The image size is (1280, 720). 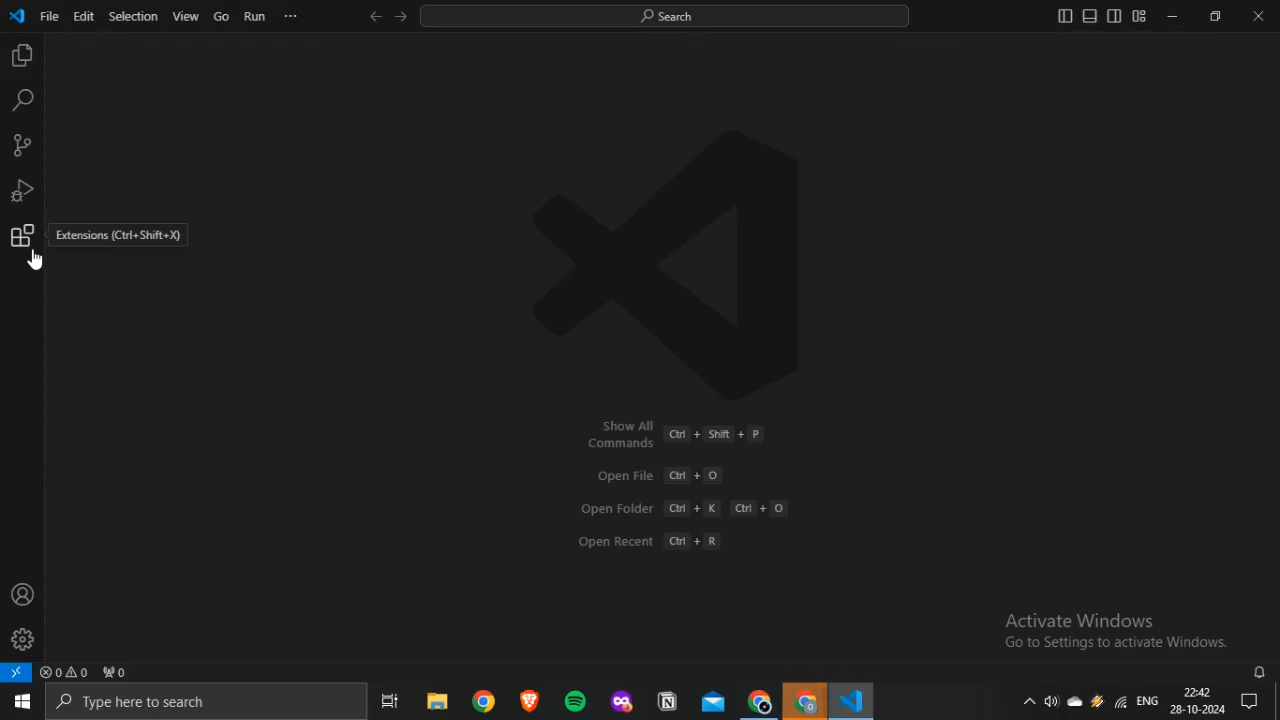 I want to click on source control, so click(x=21, y=145).